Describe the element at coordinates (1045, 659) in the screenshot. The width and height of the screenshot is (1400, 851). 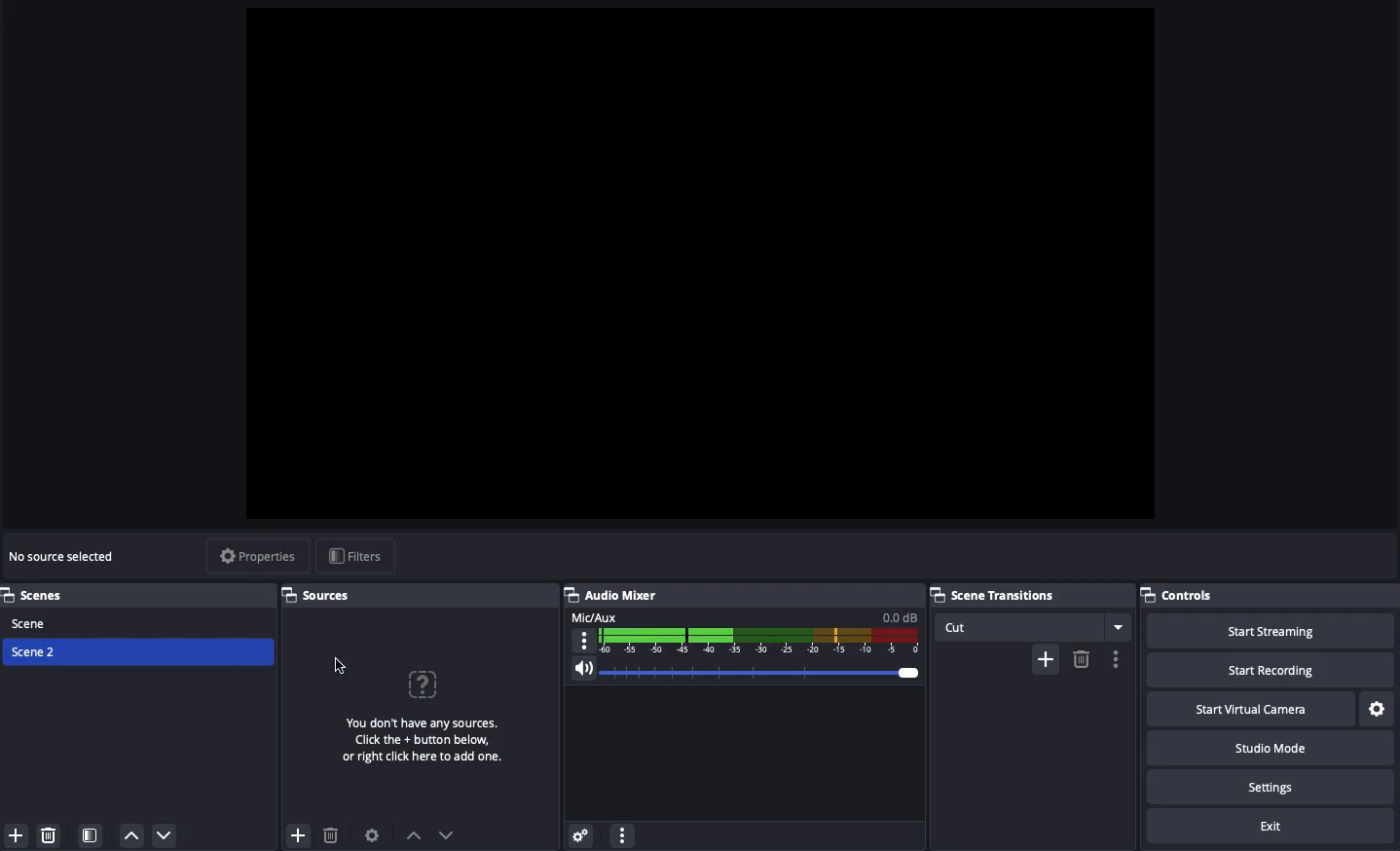
I see `add` at that location.